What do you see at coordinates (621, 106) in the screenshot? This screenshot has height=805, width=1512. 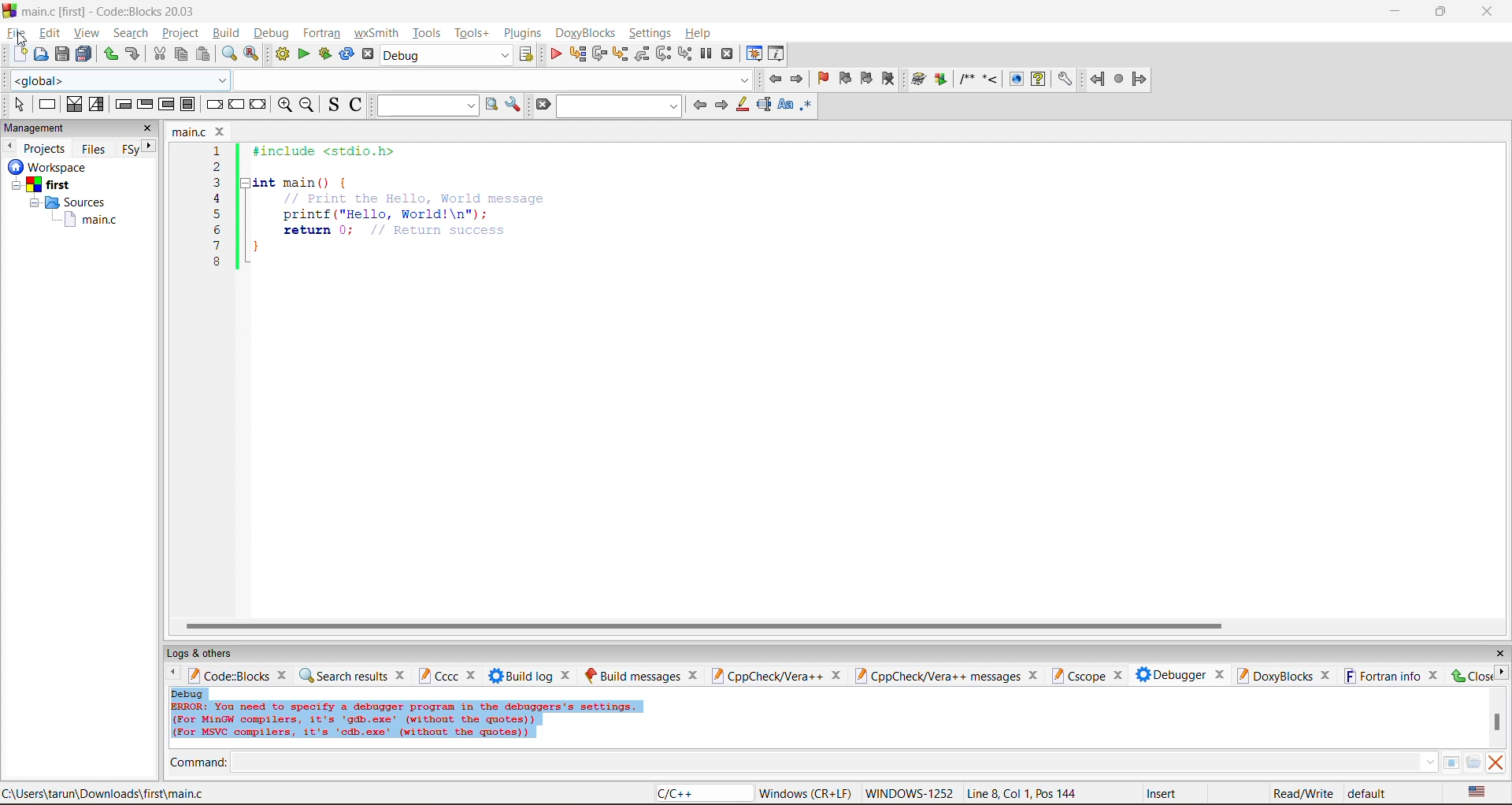 I see `search` at bounding box center [621, 106].